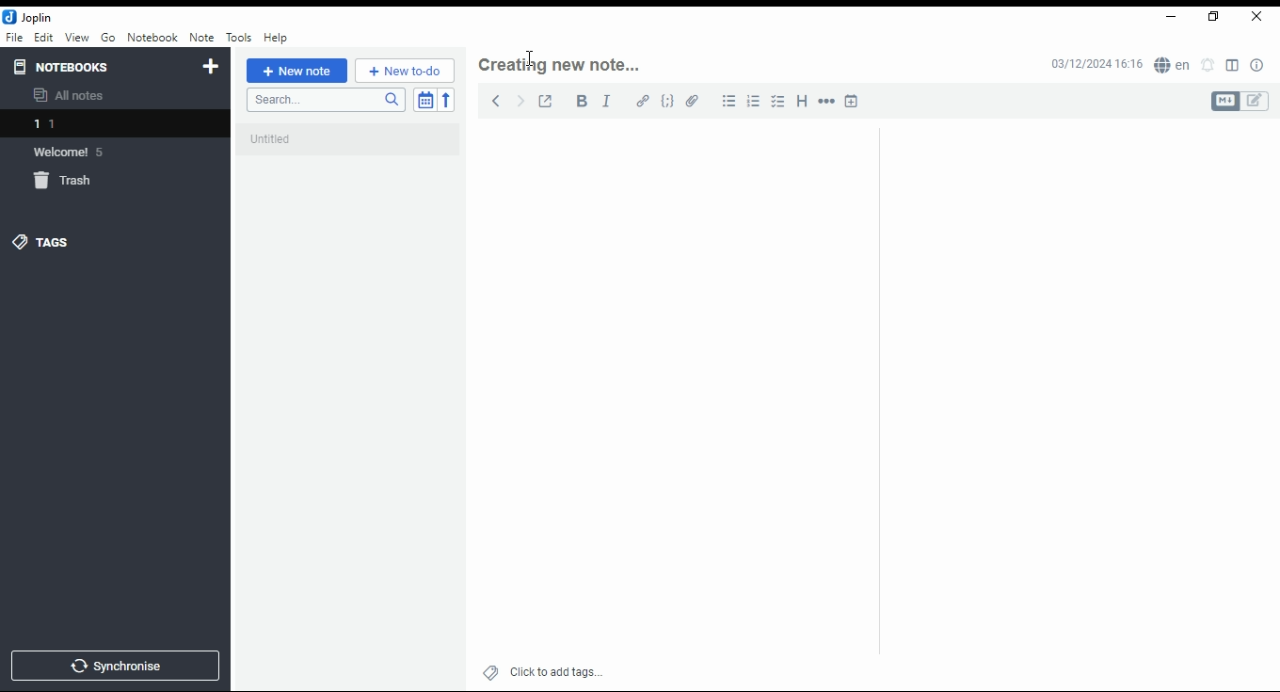  I want to click on toggle external editing, so click(546, 100).